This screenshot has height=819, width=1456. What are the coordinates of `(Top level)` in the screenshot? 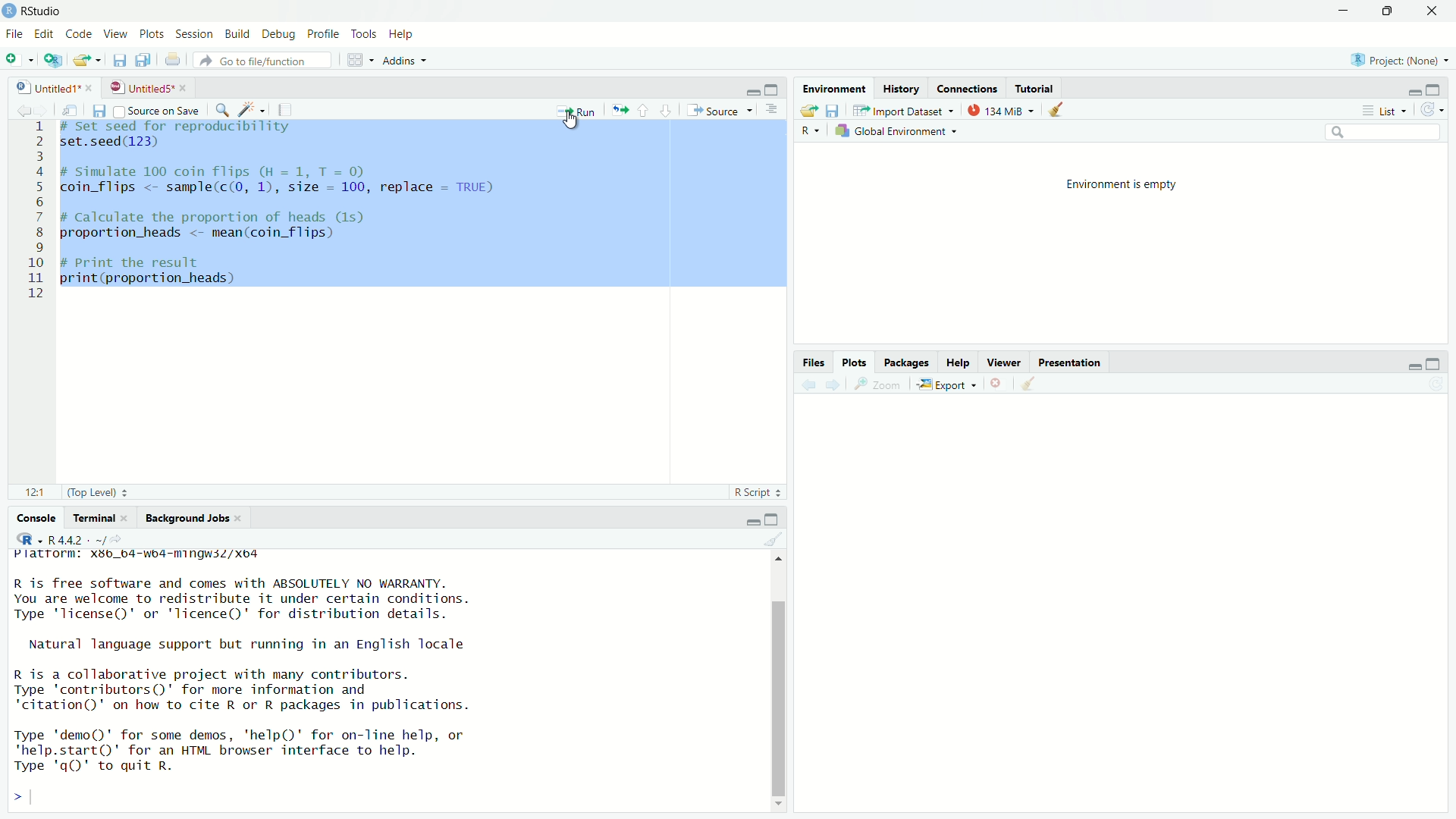 It's located at (98, 492).